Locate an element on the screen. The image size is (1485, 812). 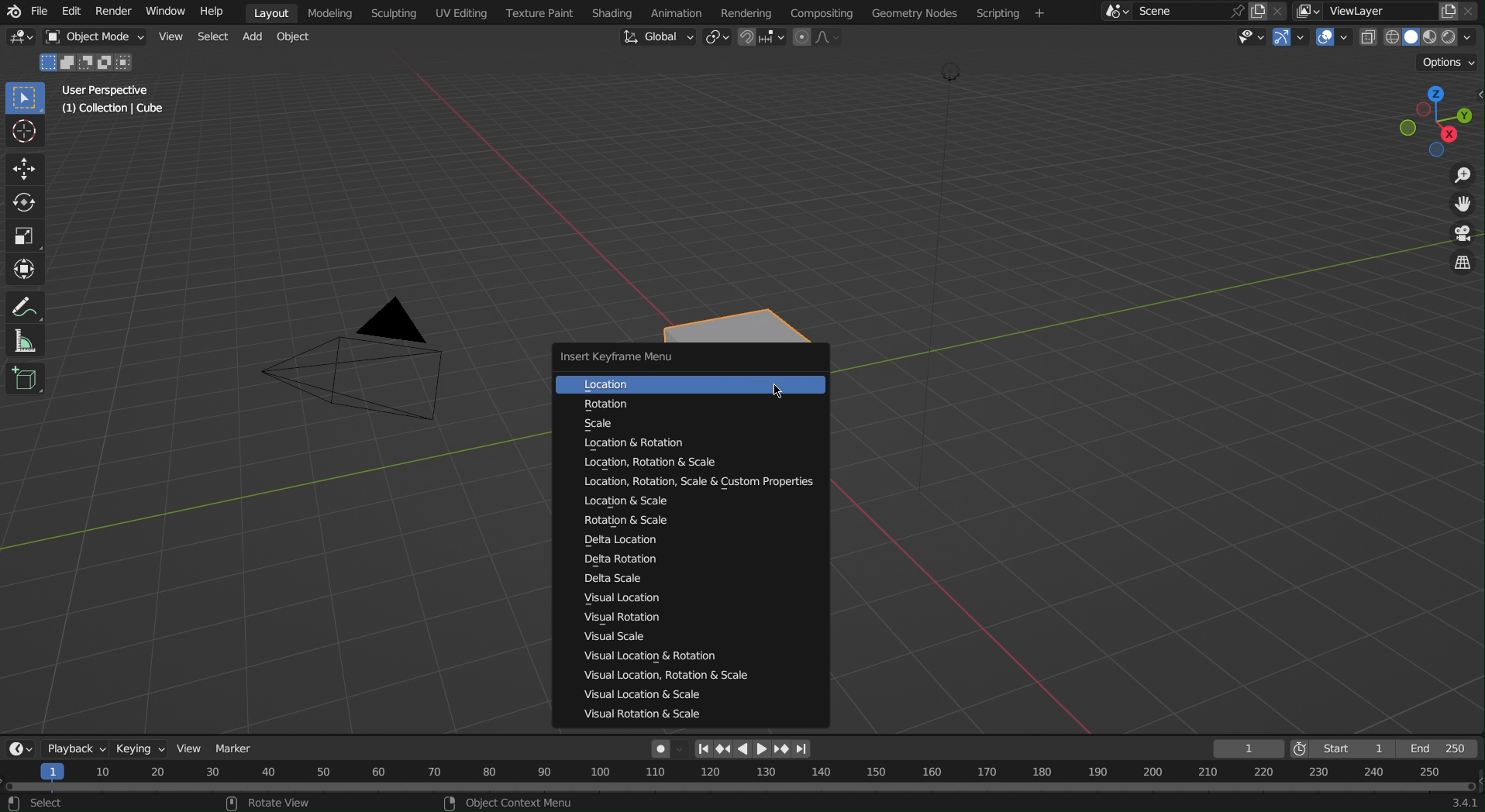
Close is located at coordinates (1474, 12).